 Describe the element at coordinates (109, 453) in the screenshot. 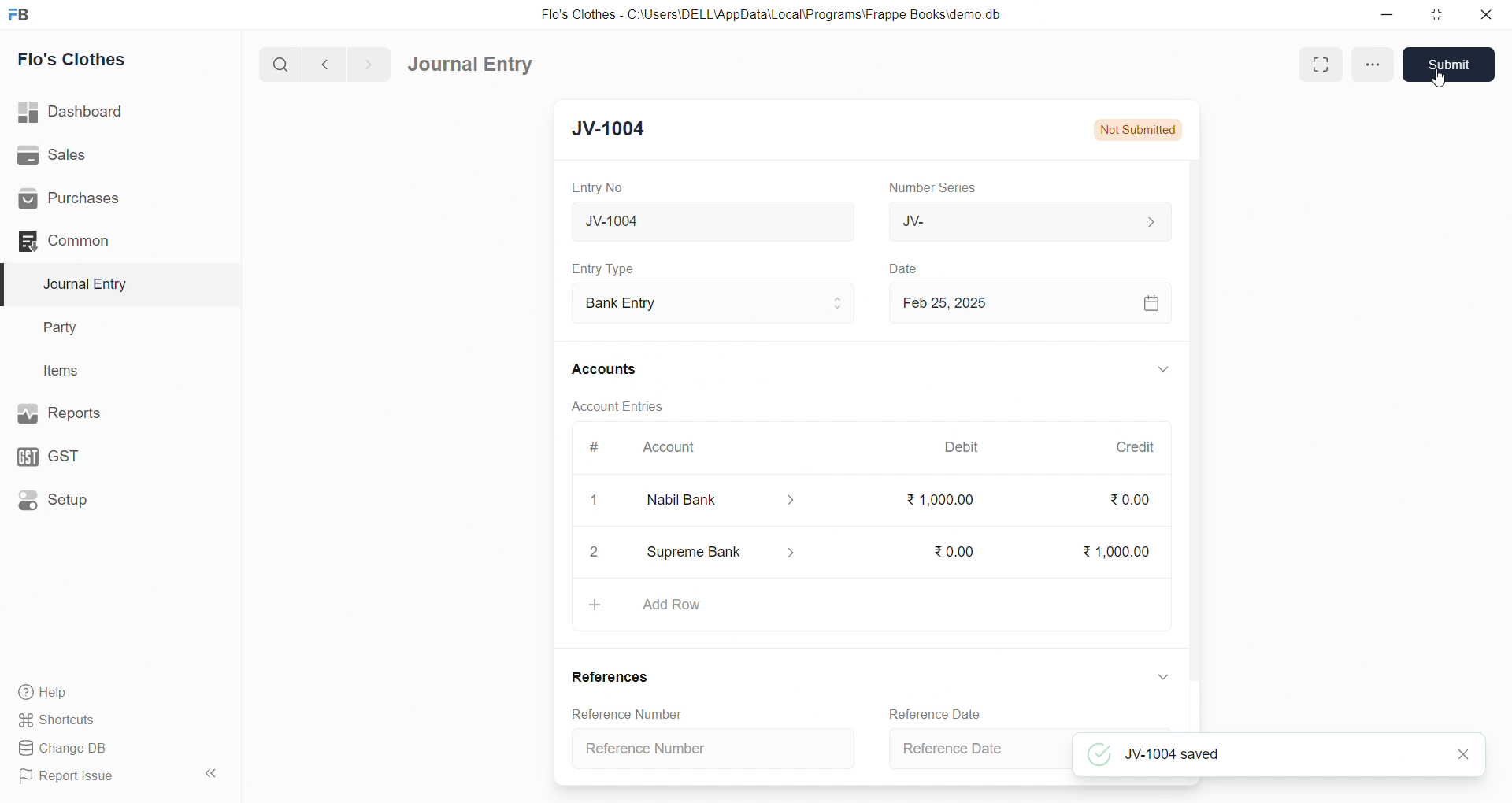

I see `GST` at that location.